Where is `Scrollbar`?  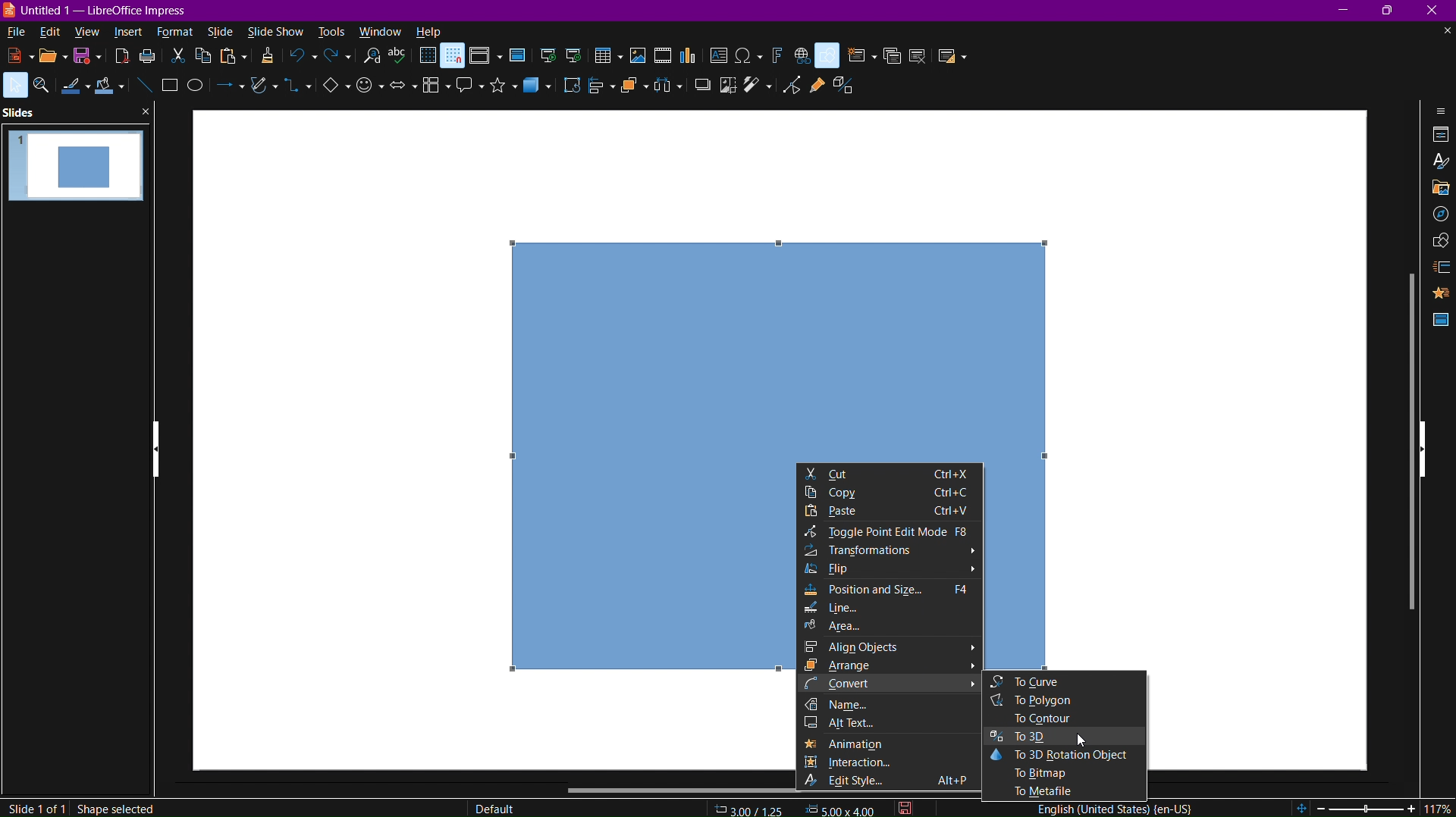 Scrollbar is located at coordinates (673, 788).